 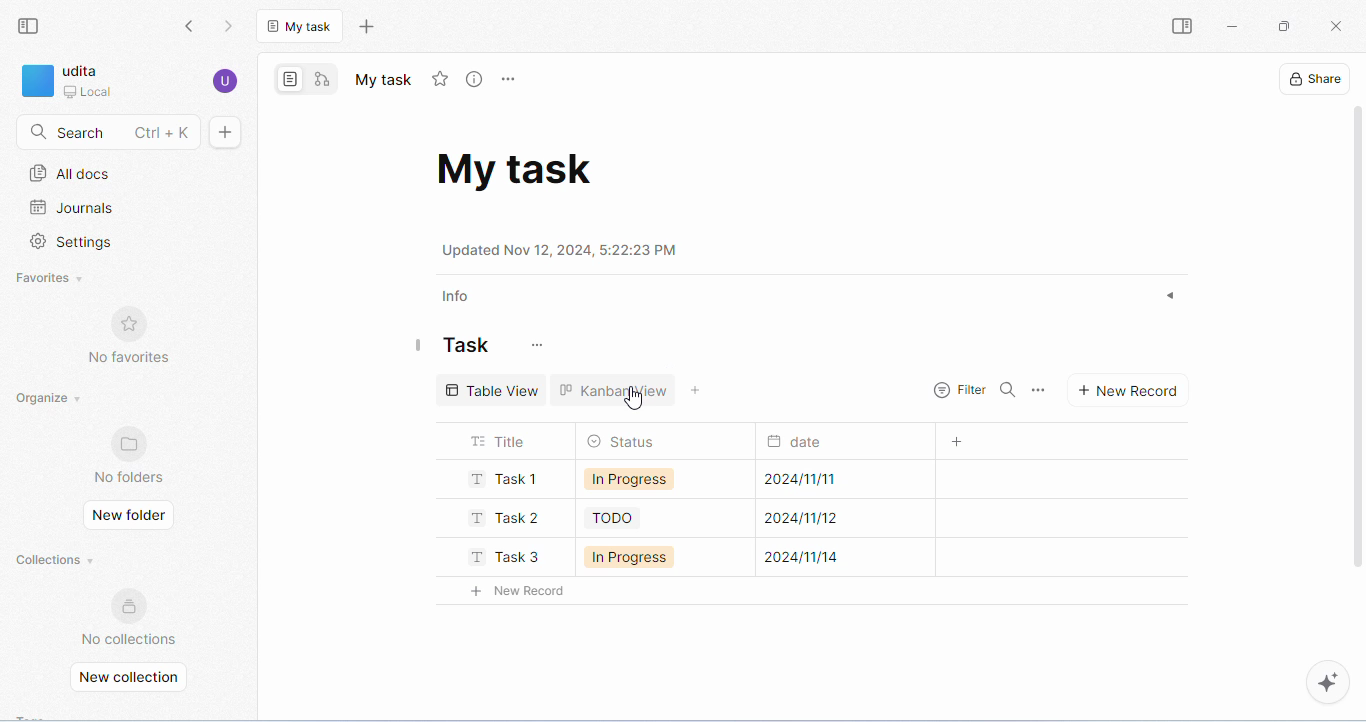 I want to click on collections, so click(x=57, y=558).